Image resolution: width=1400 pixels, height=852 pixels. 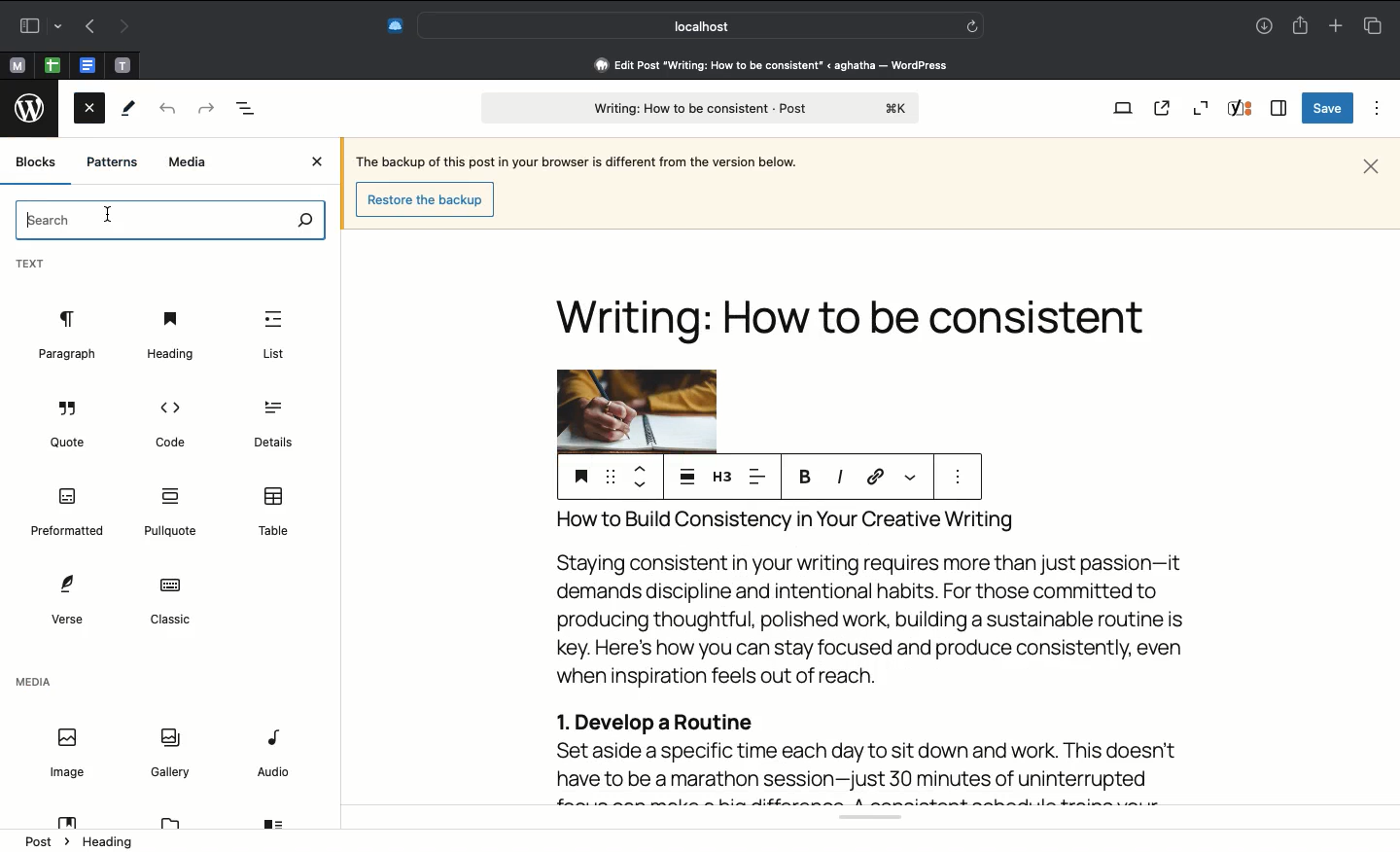 I want to click on Downloads, so click(x=1266, y=25).